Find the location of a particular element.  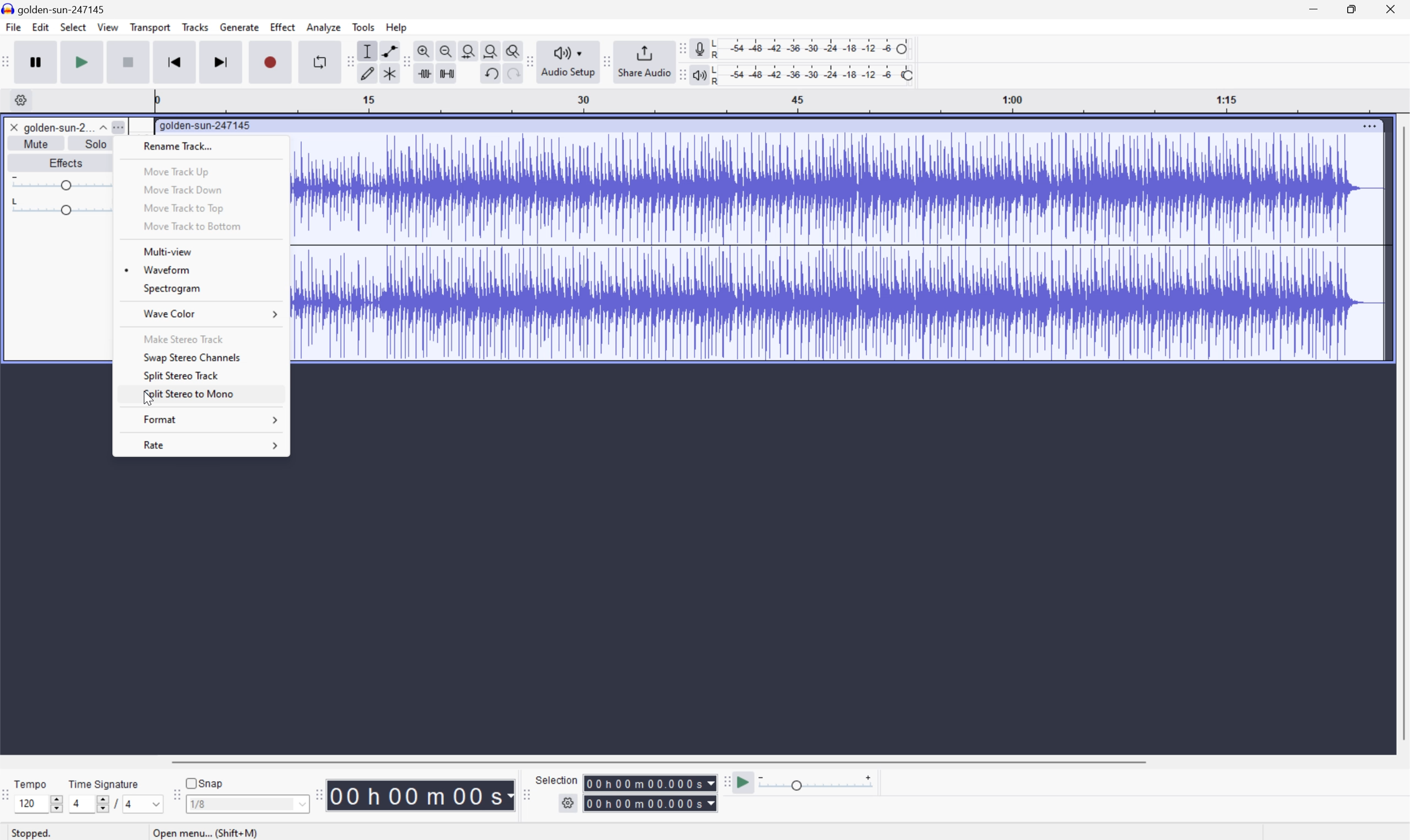

Drop Down is located at coordinates (101, 127).